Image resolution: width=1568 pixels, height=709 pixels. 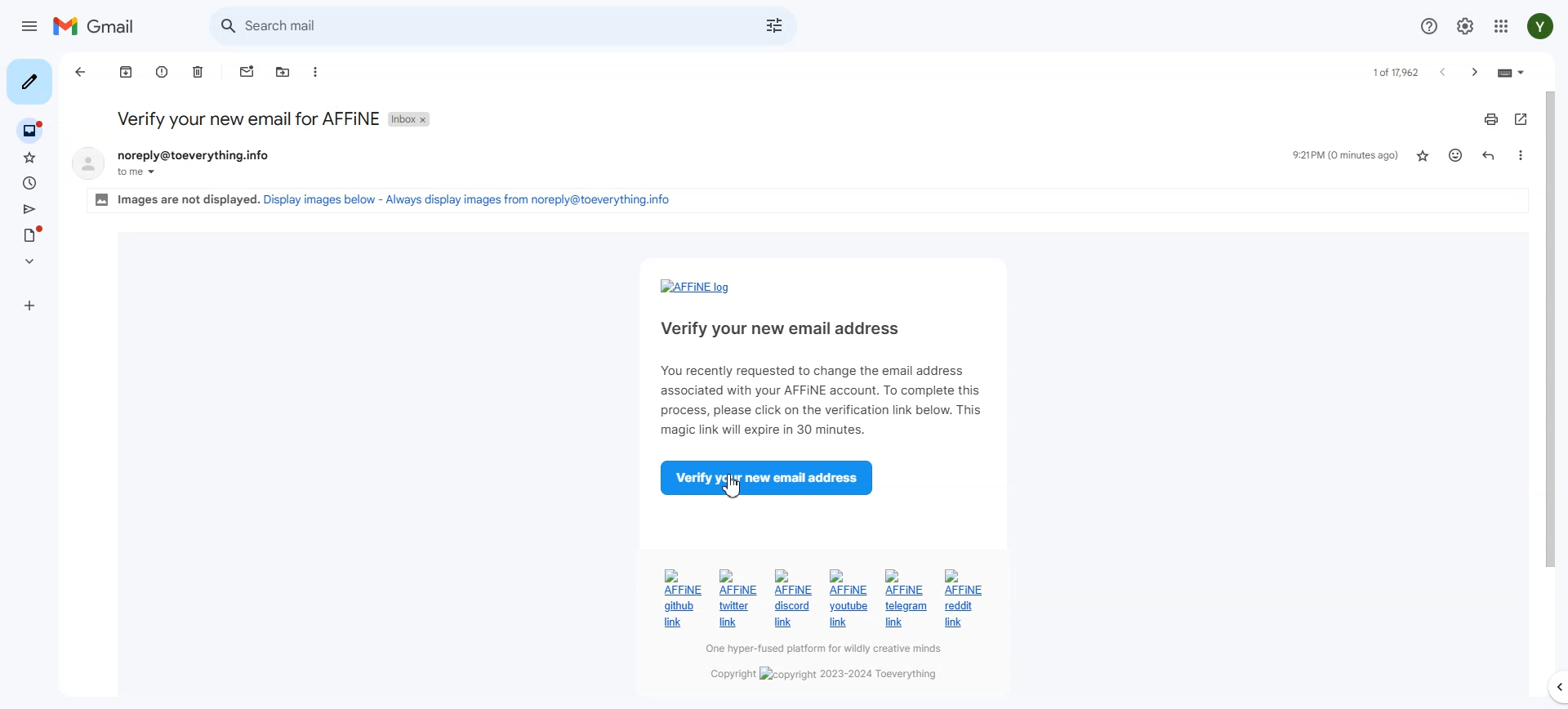 What do you see at coordinates (101, 27) in the screenshot?
I see `Logo` at bounding box center [101, 27].